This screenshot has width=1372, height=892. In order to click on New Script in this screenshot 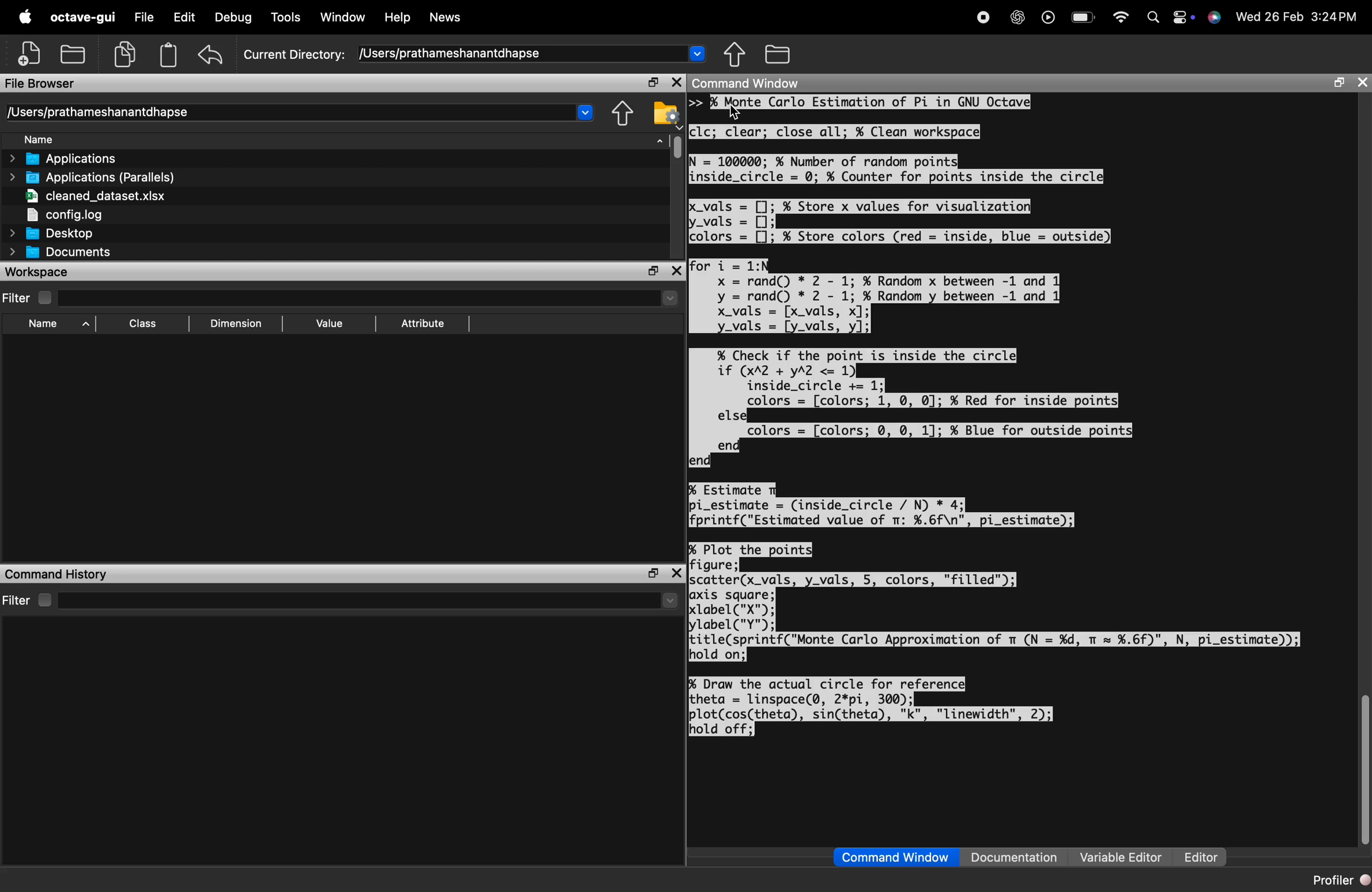, I will do `click(31, 54)`.